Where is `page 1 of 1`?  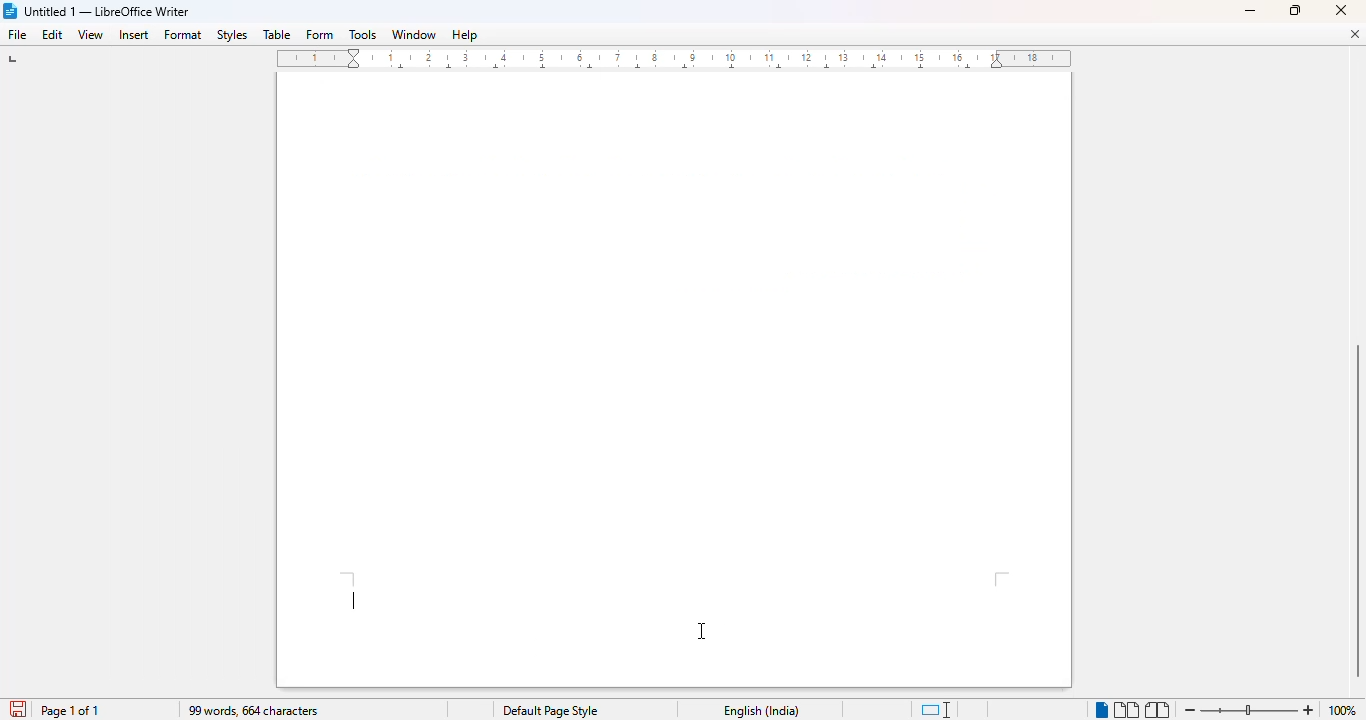 page 1 of 1 is located at coordinates (70, 710).